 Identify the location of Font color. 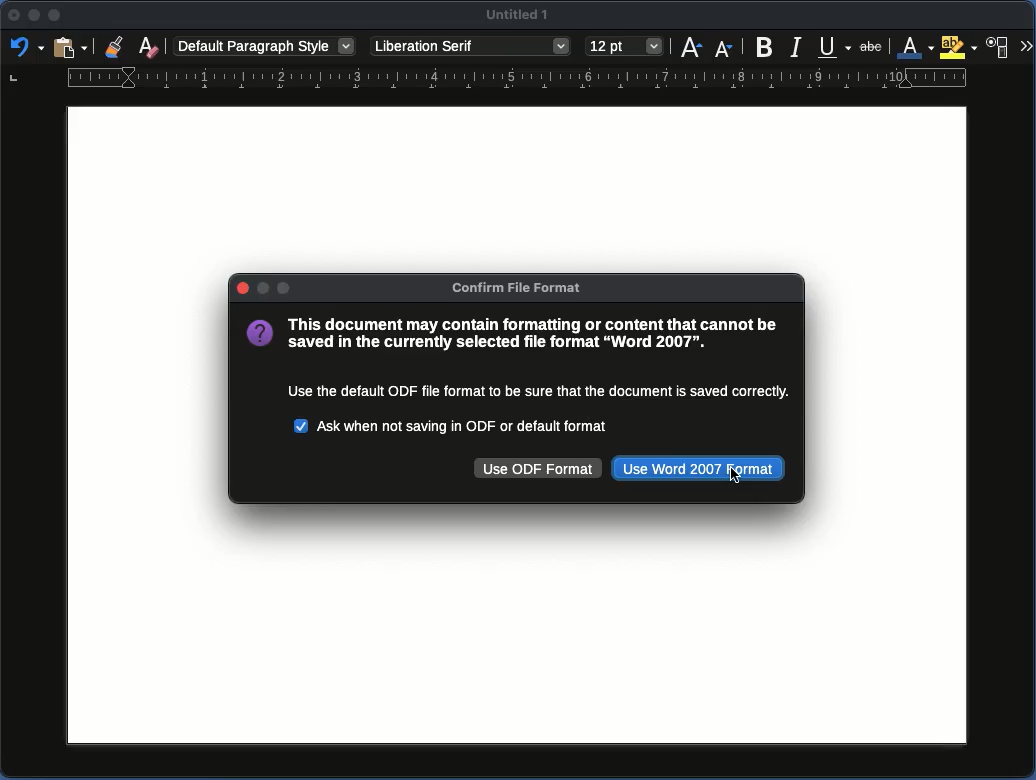
(916, 48).